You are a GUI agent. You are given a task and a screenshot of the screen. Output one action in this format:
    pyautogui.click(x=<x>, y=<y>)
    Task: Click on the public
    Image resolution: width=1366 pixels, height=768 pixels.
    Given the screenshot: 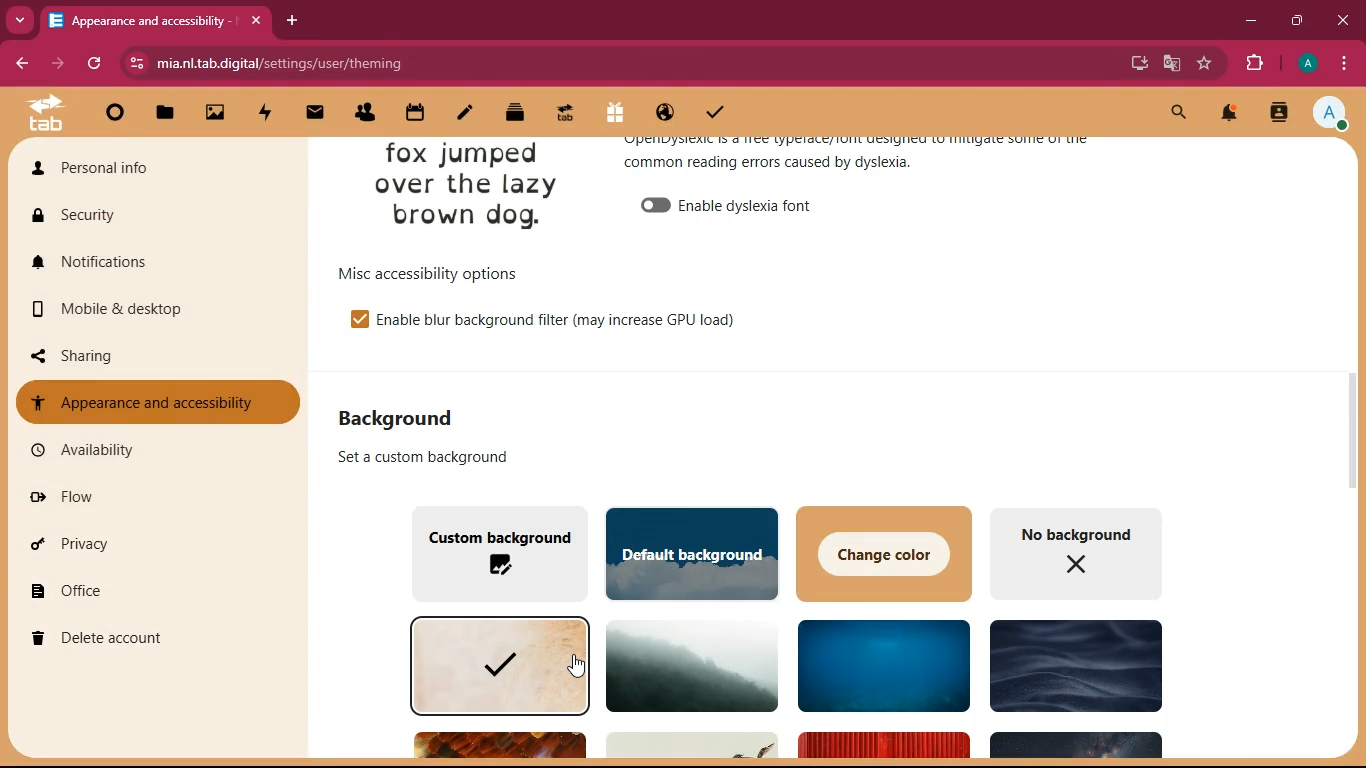 What is the action you would take?
    pyautogui.click(x=663, y=116)
    